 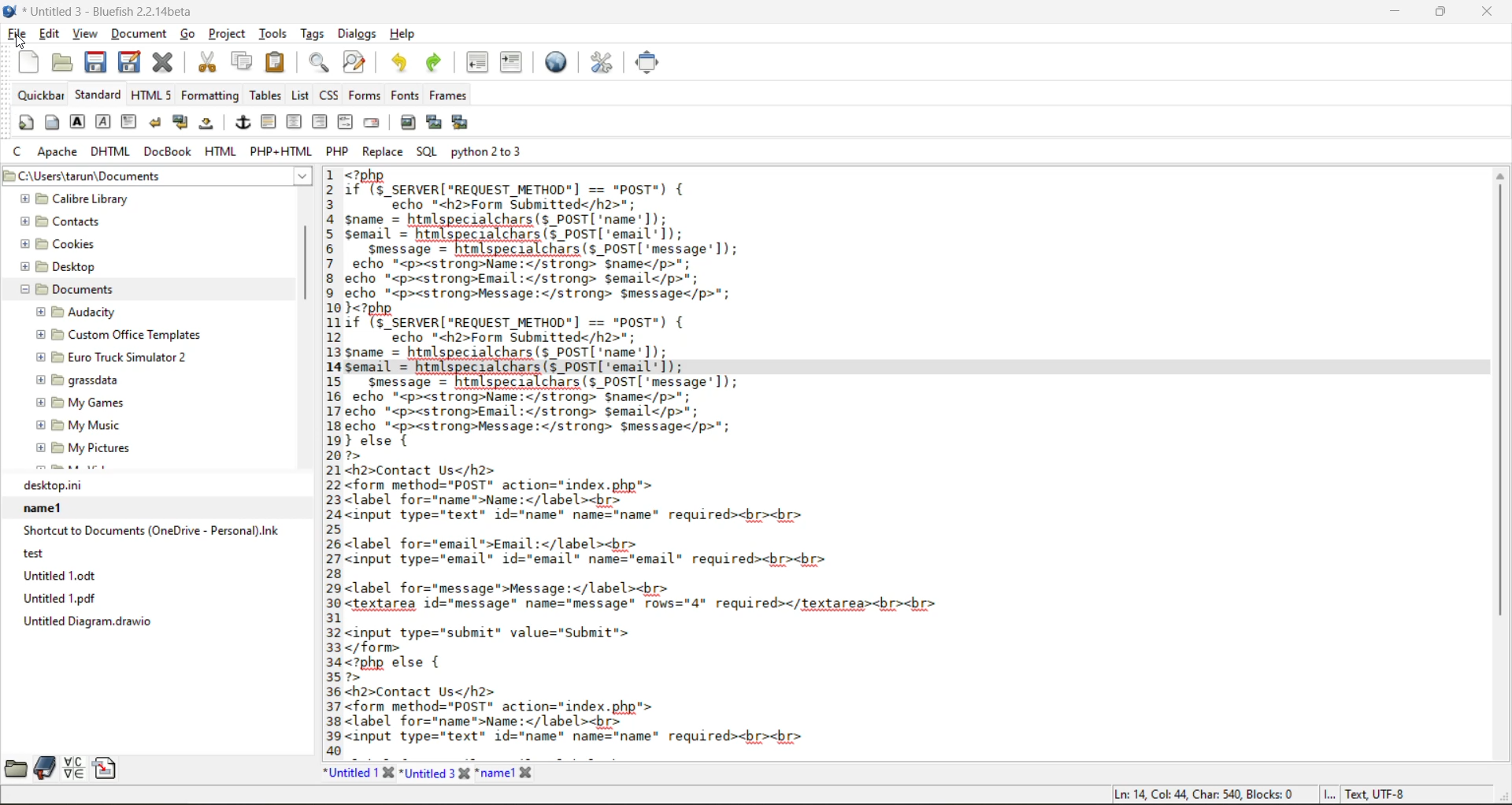 I want to click on forms, so click(x=362, y=95).